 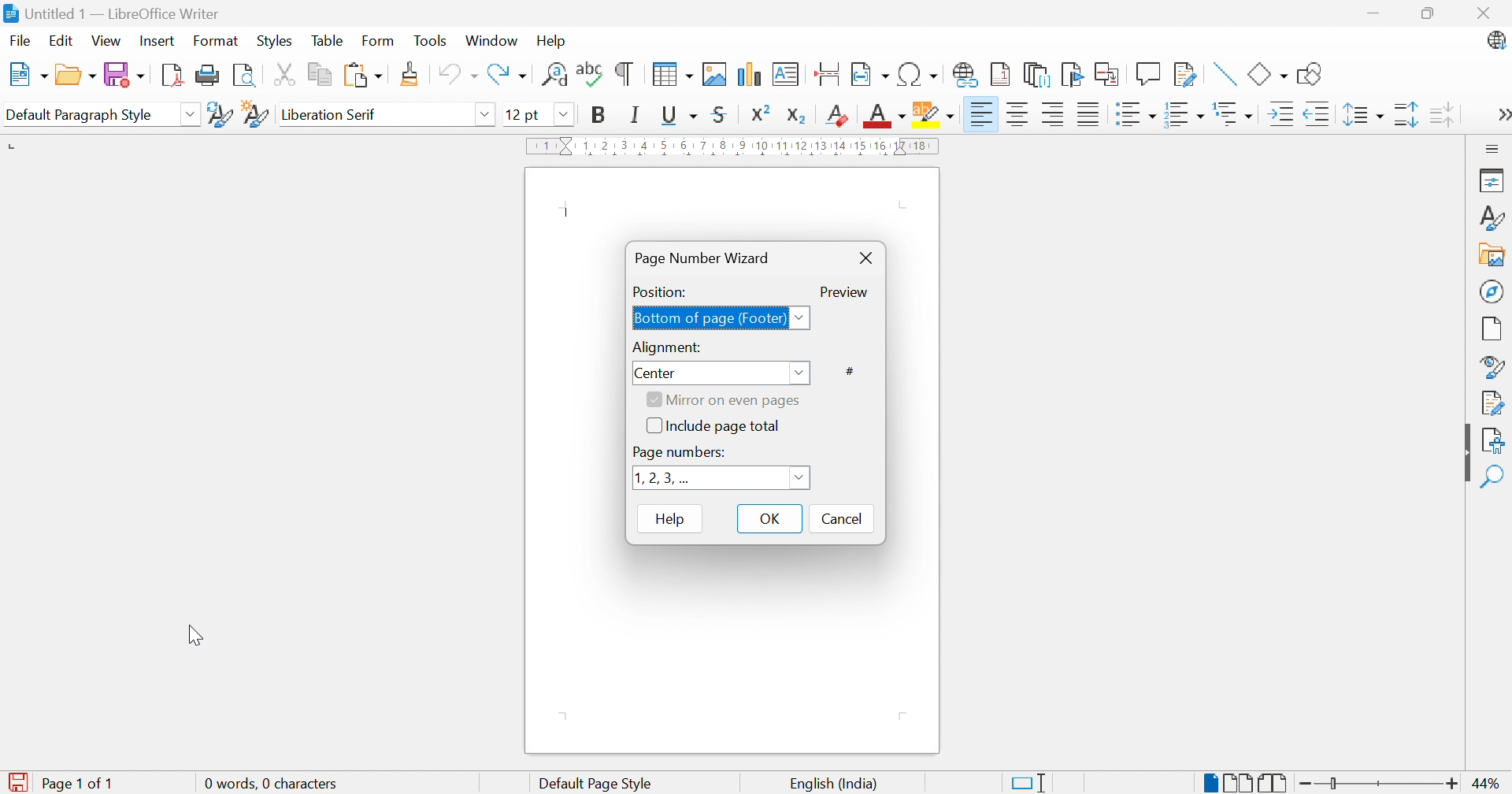 What do you see at coordinates (655, 373) in the screenshot?
I see `Center` at bounding box center [655, 373].